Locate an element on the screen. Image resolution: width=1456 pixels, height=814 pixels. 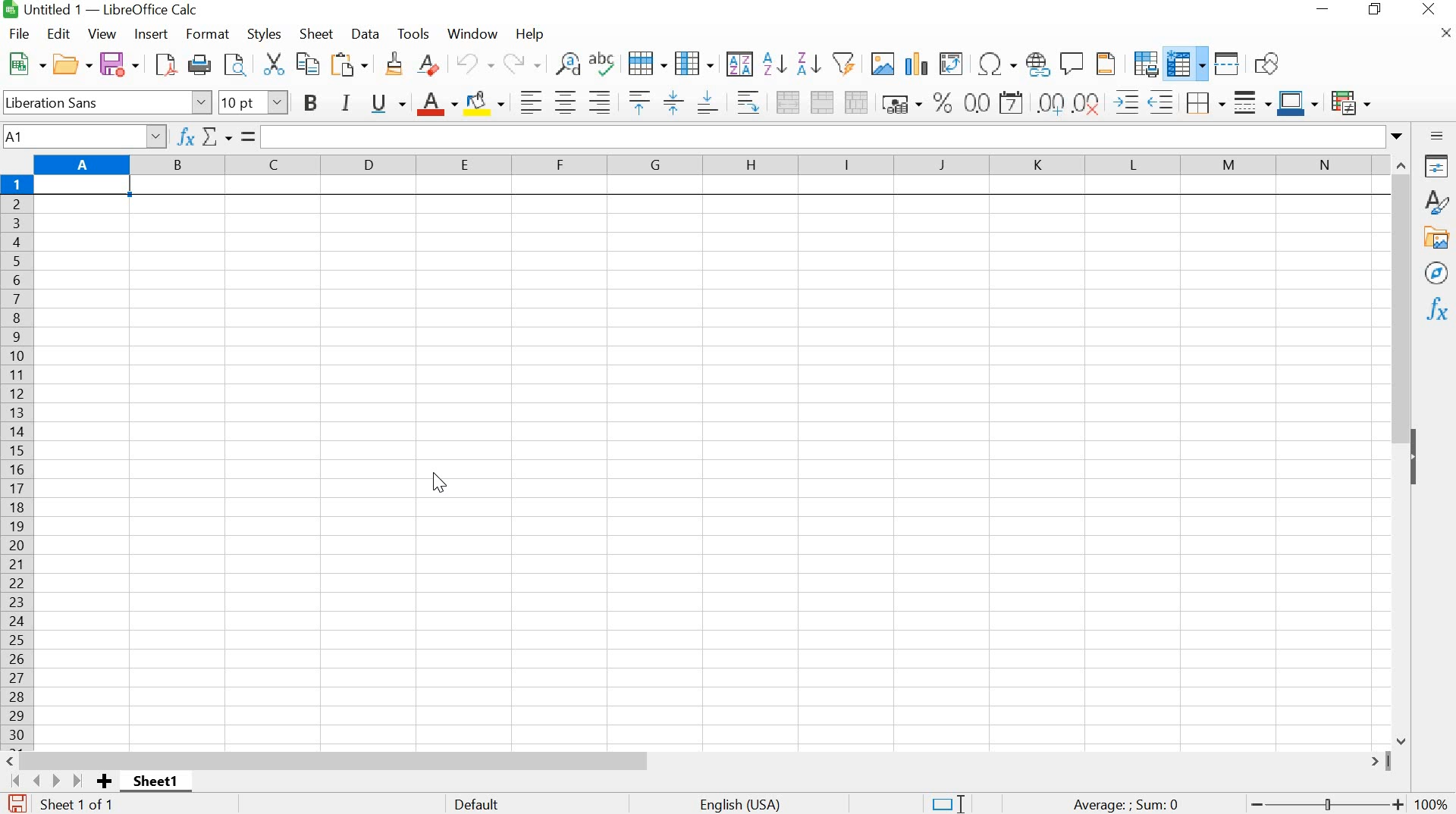
ALIGN LEFT is located at coordinates (528, 101).